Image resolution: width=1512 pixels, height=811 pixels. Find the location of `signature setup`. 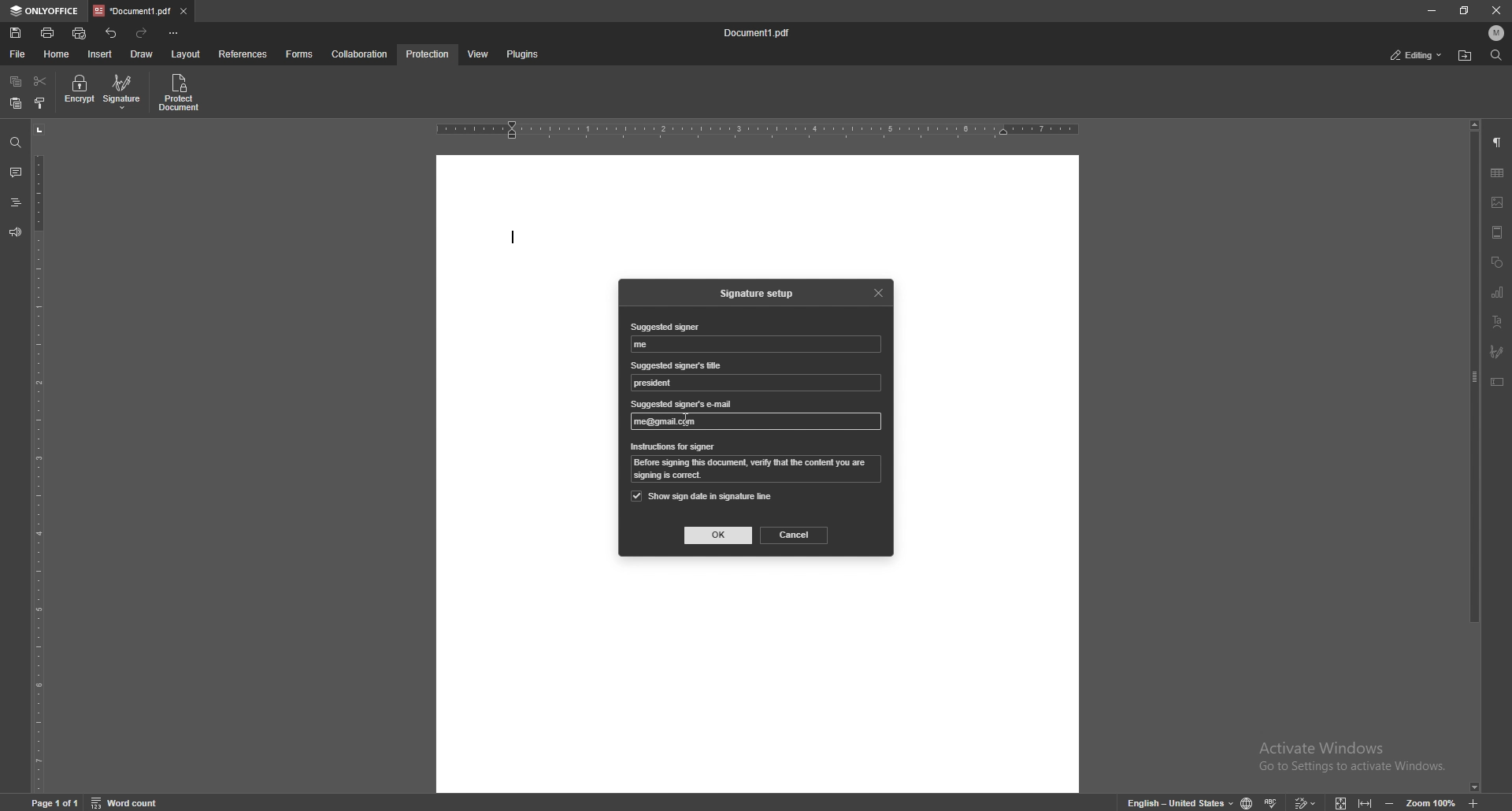

signature setup is located at coordinates (760, 294).